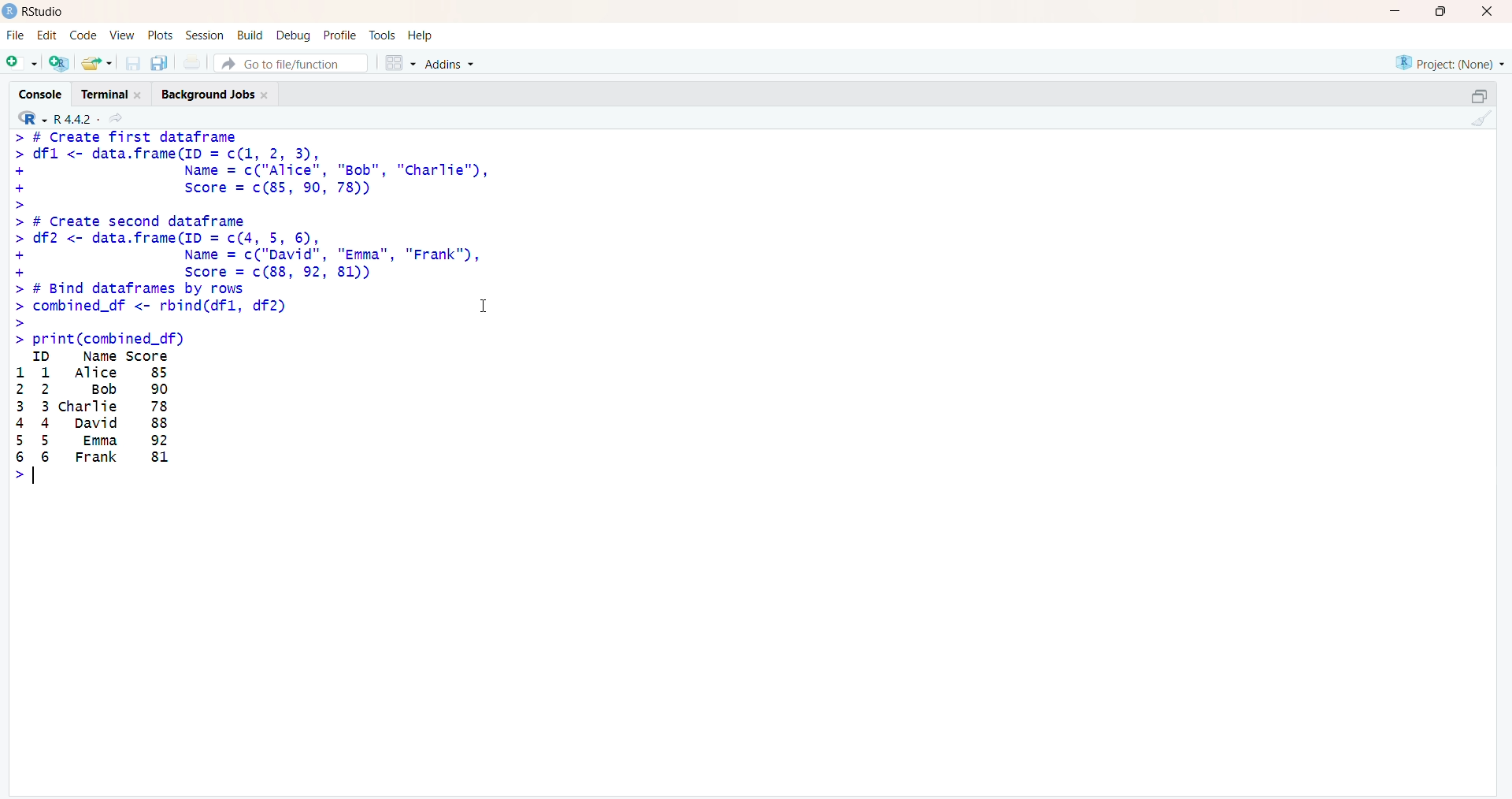  Describe the element at coordinates (340, 35) in the screenshot. I see `Profile` at that location.